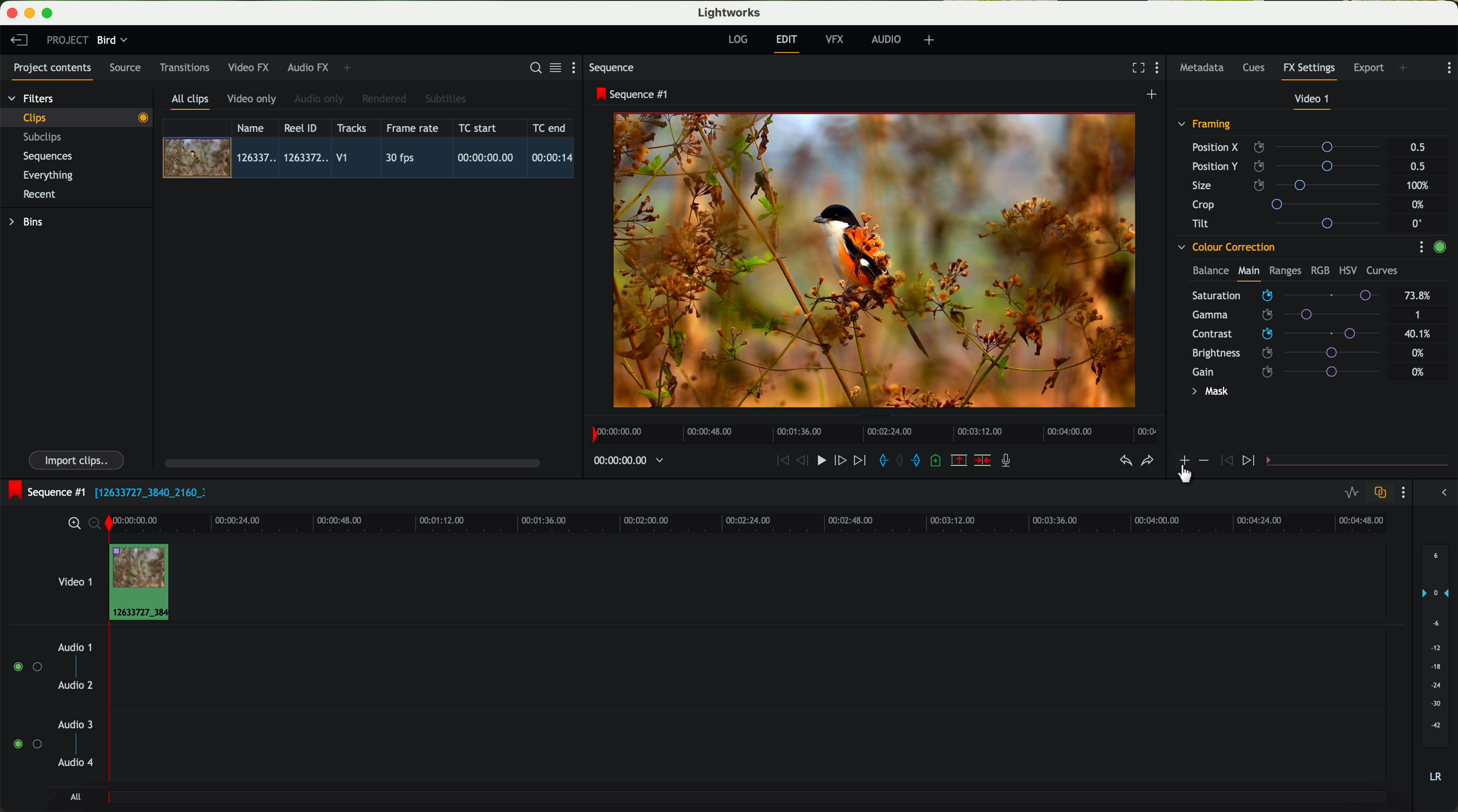 The height and width of the screenshot is (812, 1458). I want to click on Lightworks, so click(730, 12).